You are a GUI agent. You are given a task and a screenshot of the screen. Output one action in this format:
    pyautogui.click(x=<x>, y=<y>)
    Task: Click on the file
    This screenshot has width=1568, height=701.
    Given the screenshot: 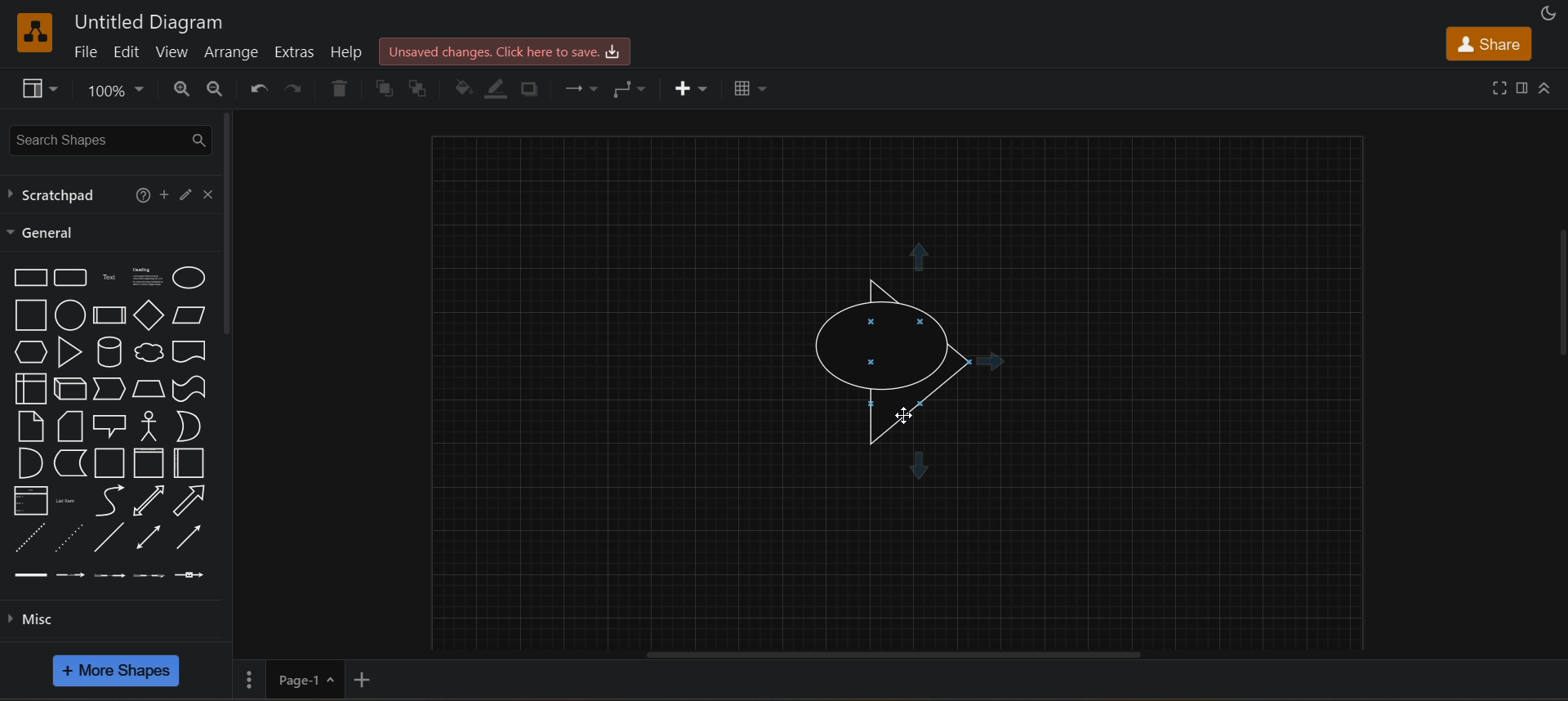 What is the action you would take?
    pyautogui.click(x=89, y=52)
    